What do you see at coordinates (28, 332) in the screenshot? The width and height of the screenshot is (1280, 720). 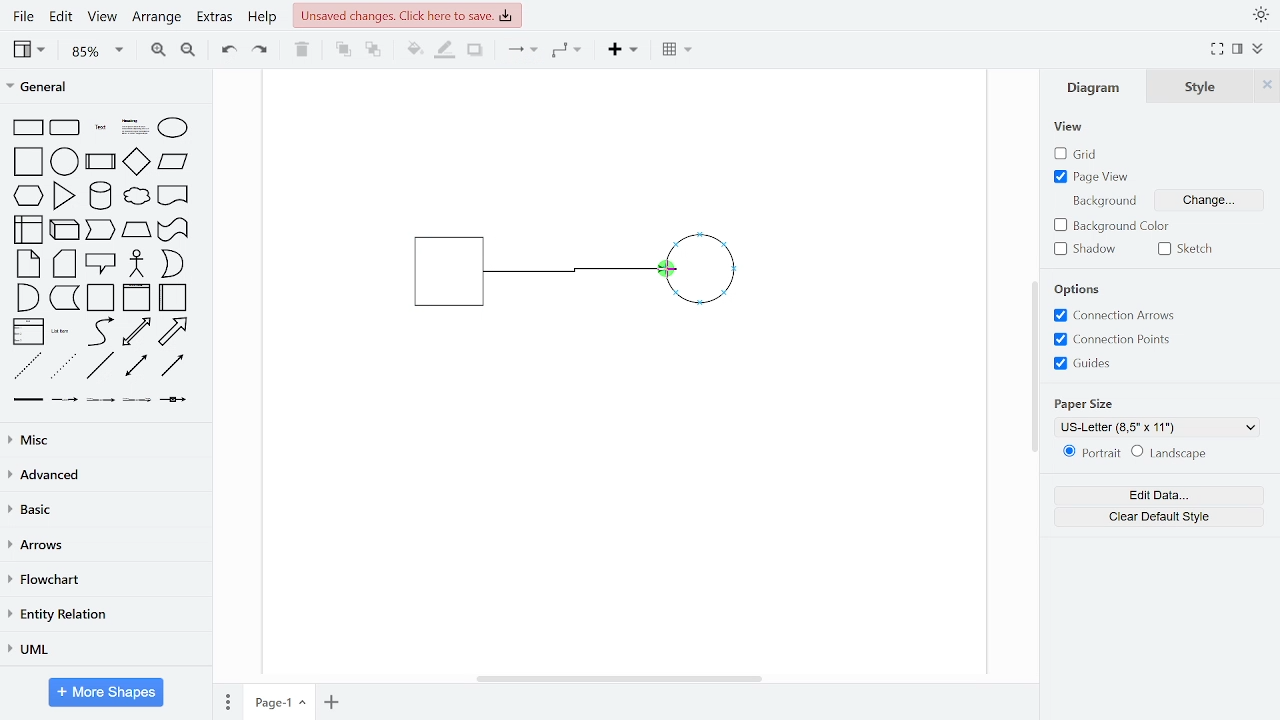 I see `list` at bounding box center [28, 332].